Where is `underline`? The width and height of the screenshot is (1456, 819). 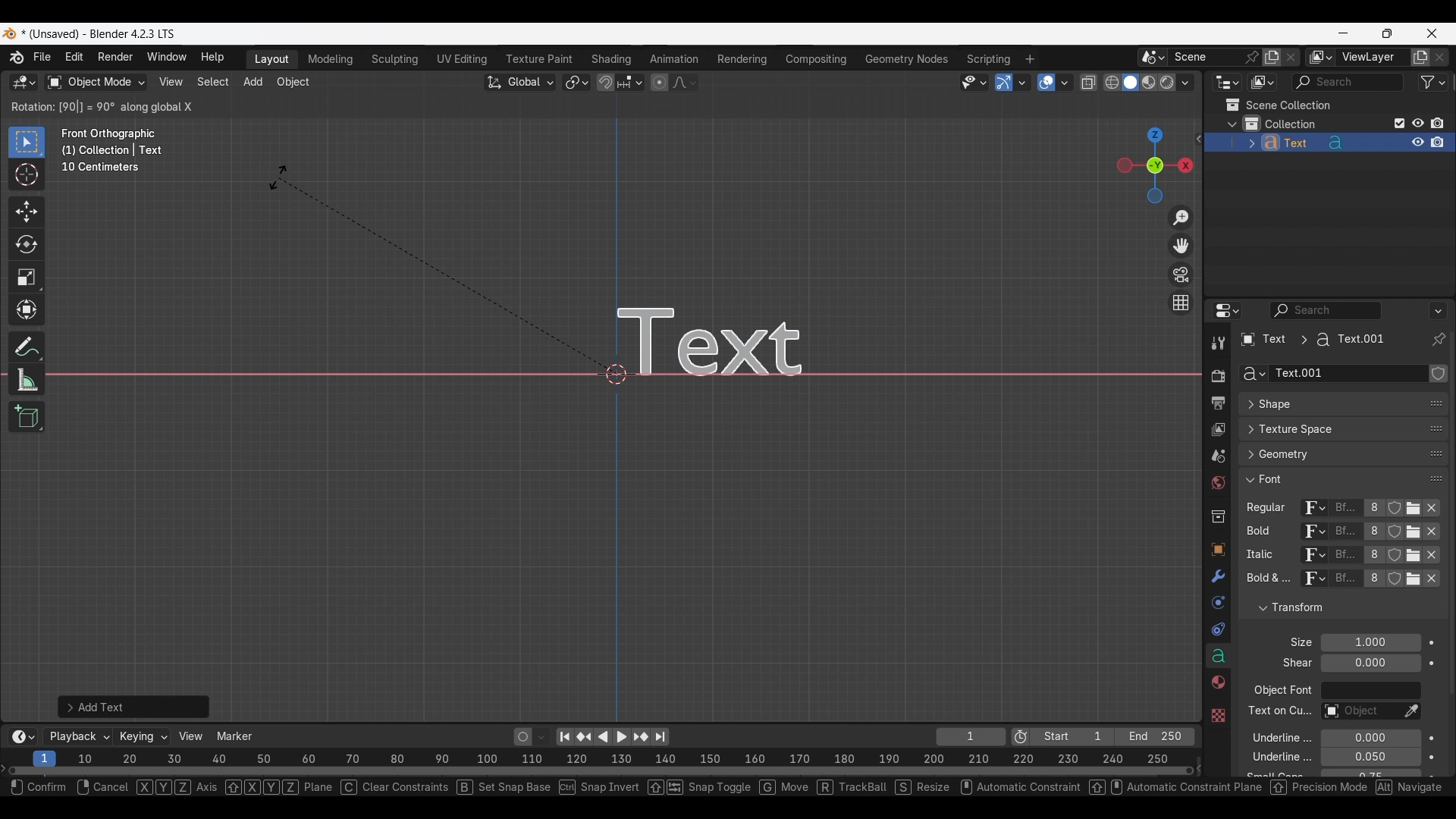
underline is located at coordinates (1269, 759).